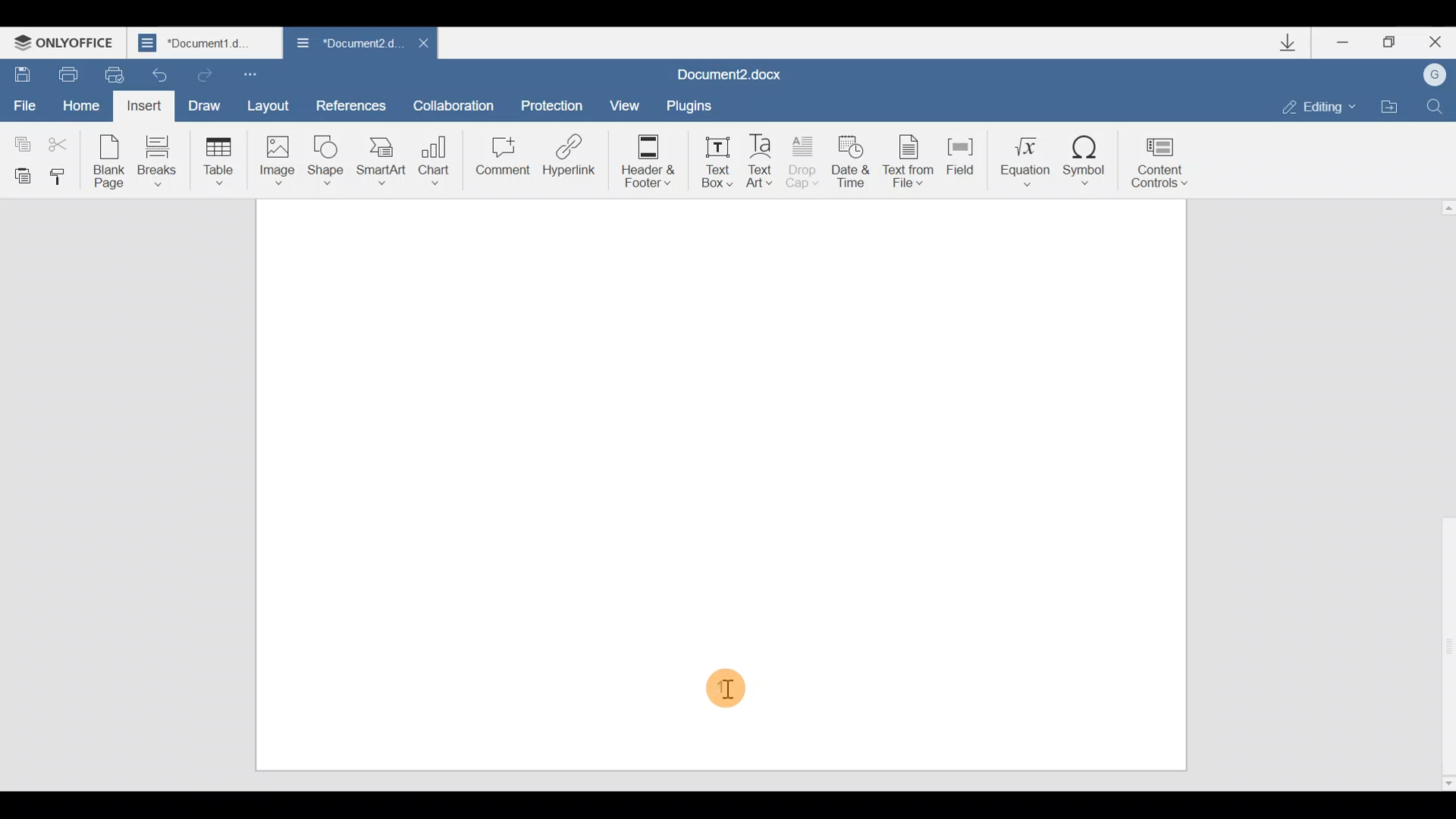  I want to click on Editing mode, so click(1310, 105).